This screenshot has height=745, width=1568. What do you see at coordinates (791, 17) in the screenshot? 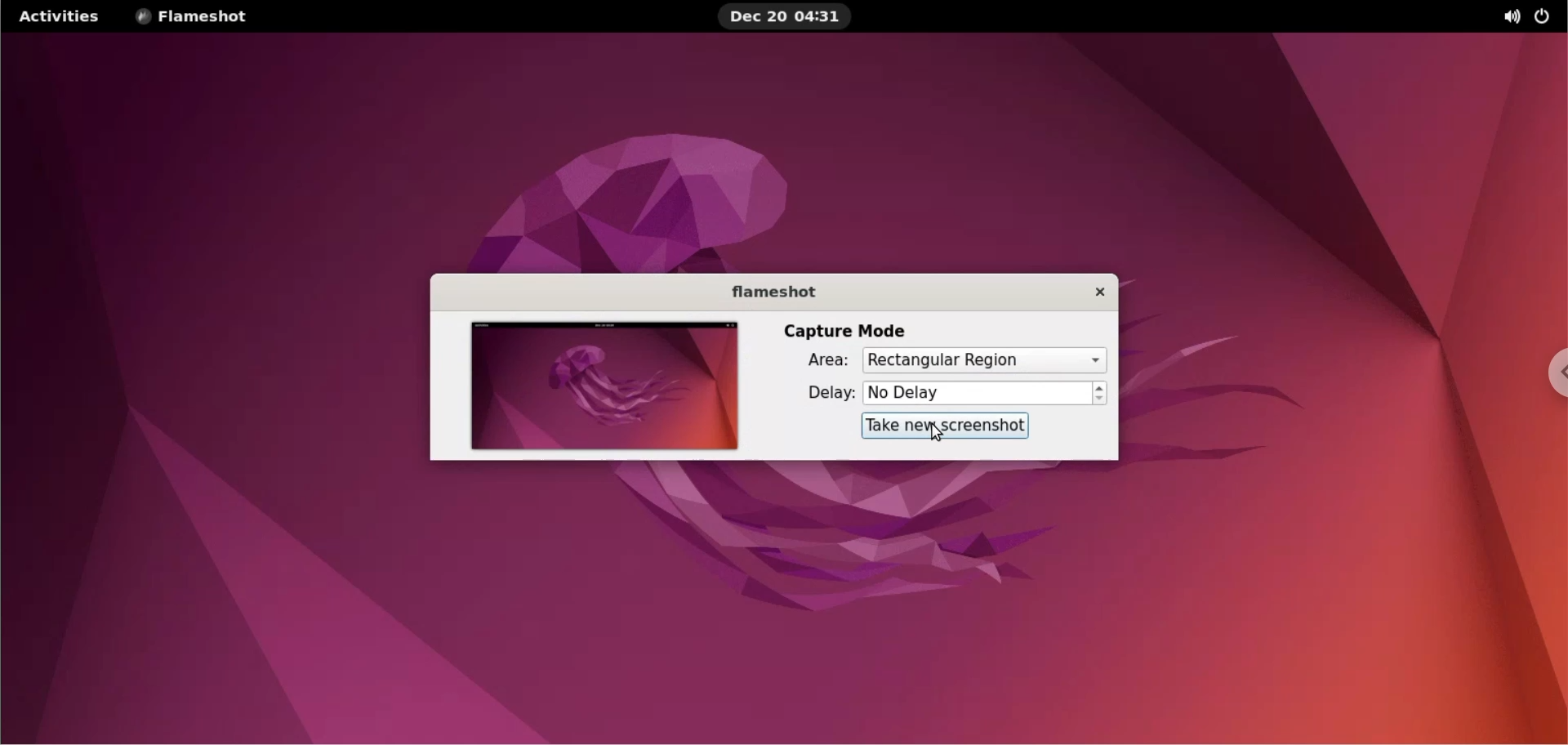
I see `Dec 20 04:31` at bounding box center [791, 17].